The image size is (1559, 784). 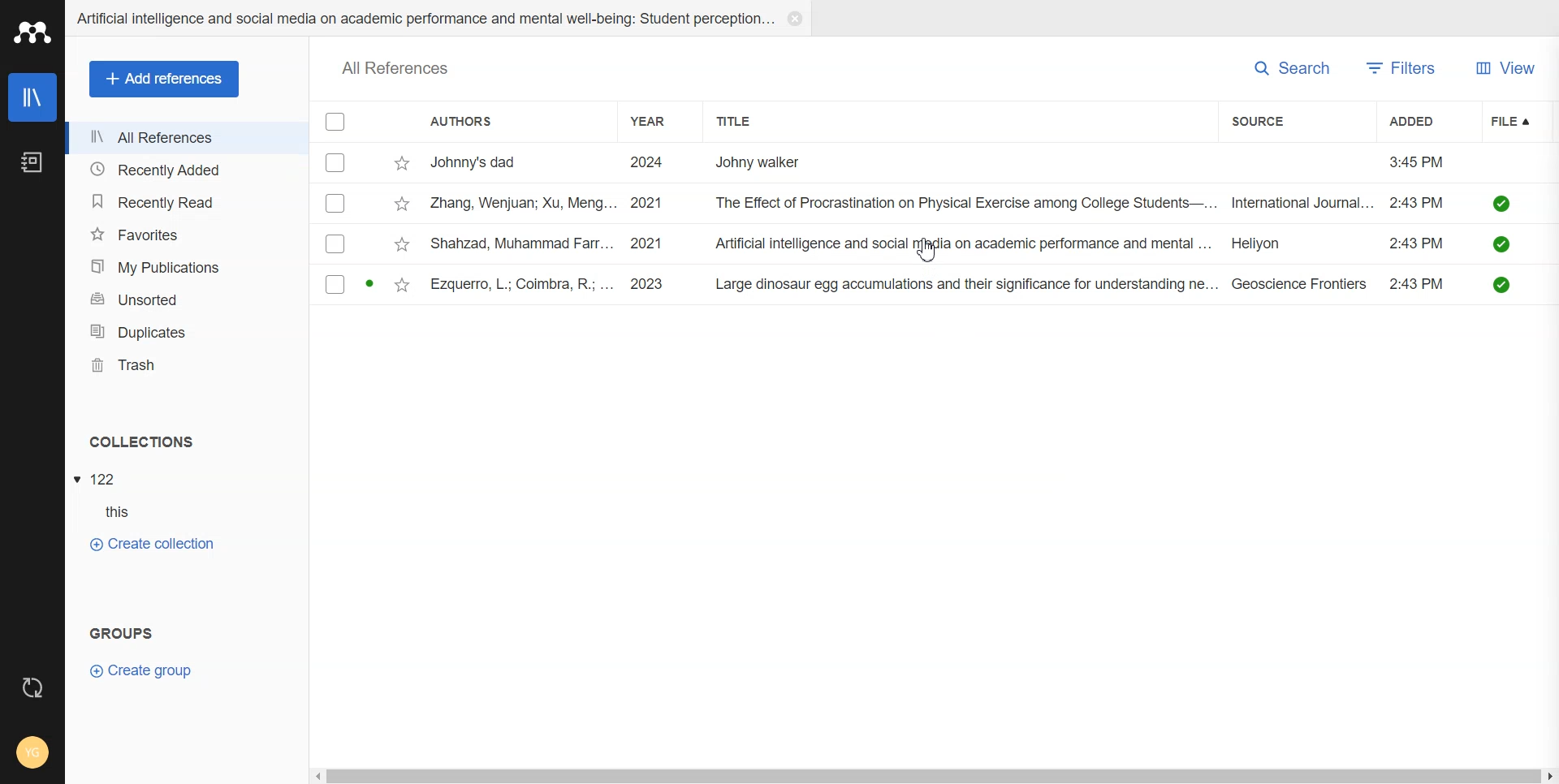 What do you see at coordinates (650, 285) in the screenshot?
I see `2023` at bounding box center [650, 285].